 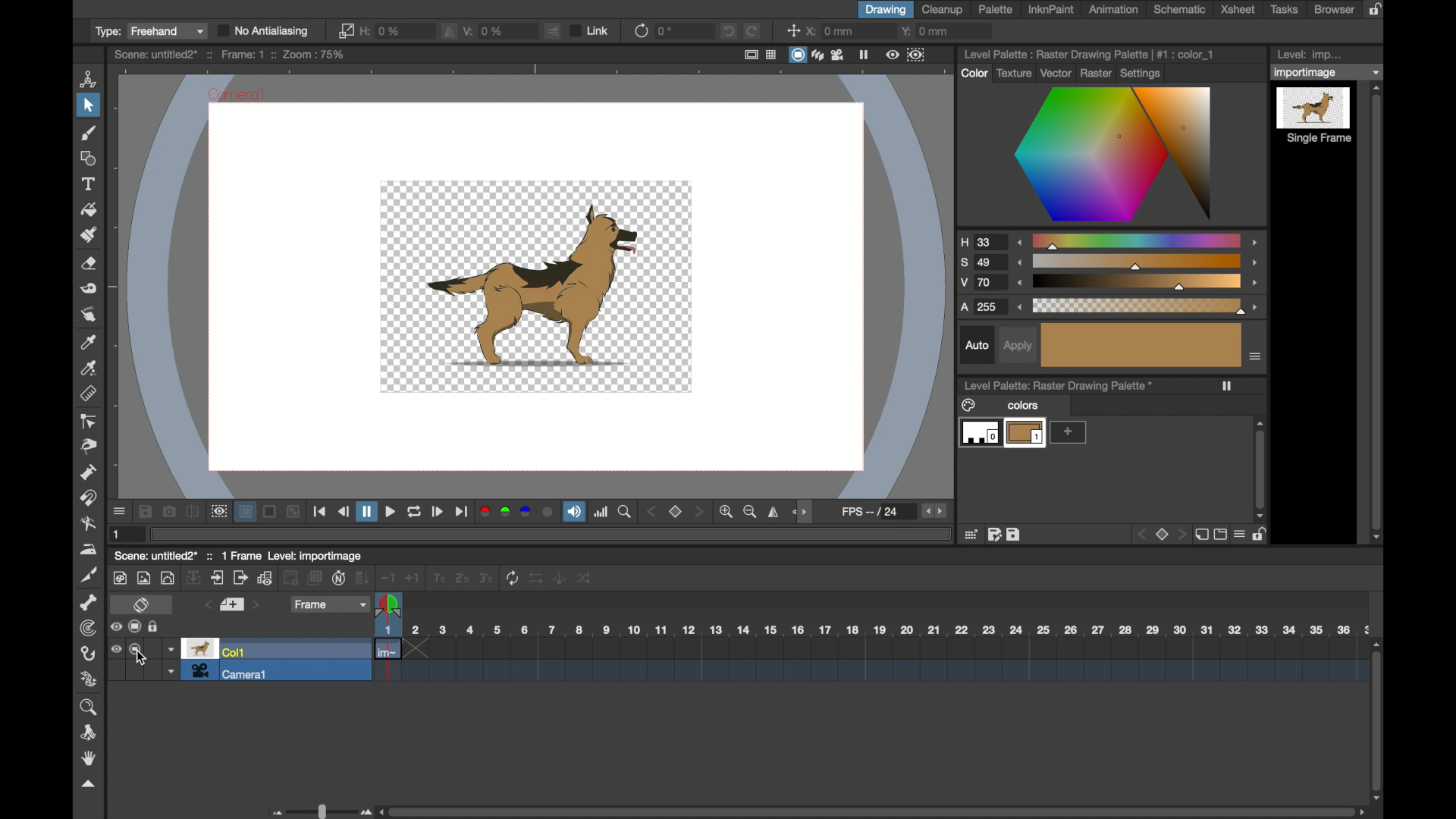 What do you see at coordinates (872, 811) in the screenshot?
I see `scroll box` at bounding box center [872, 811].